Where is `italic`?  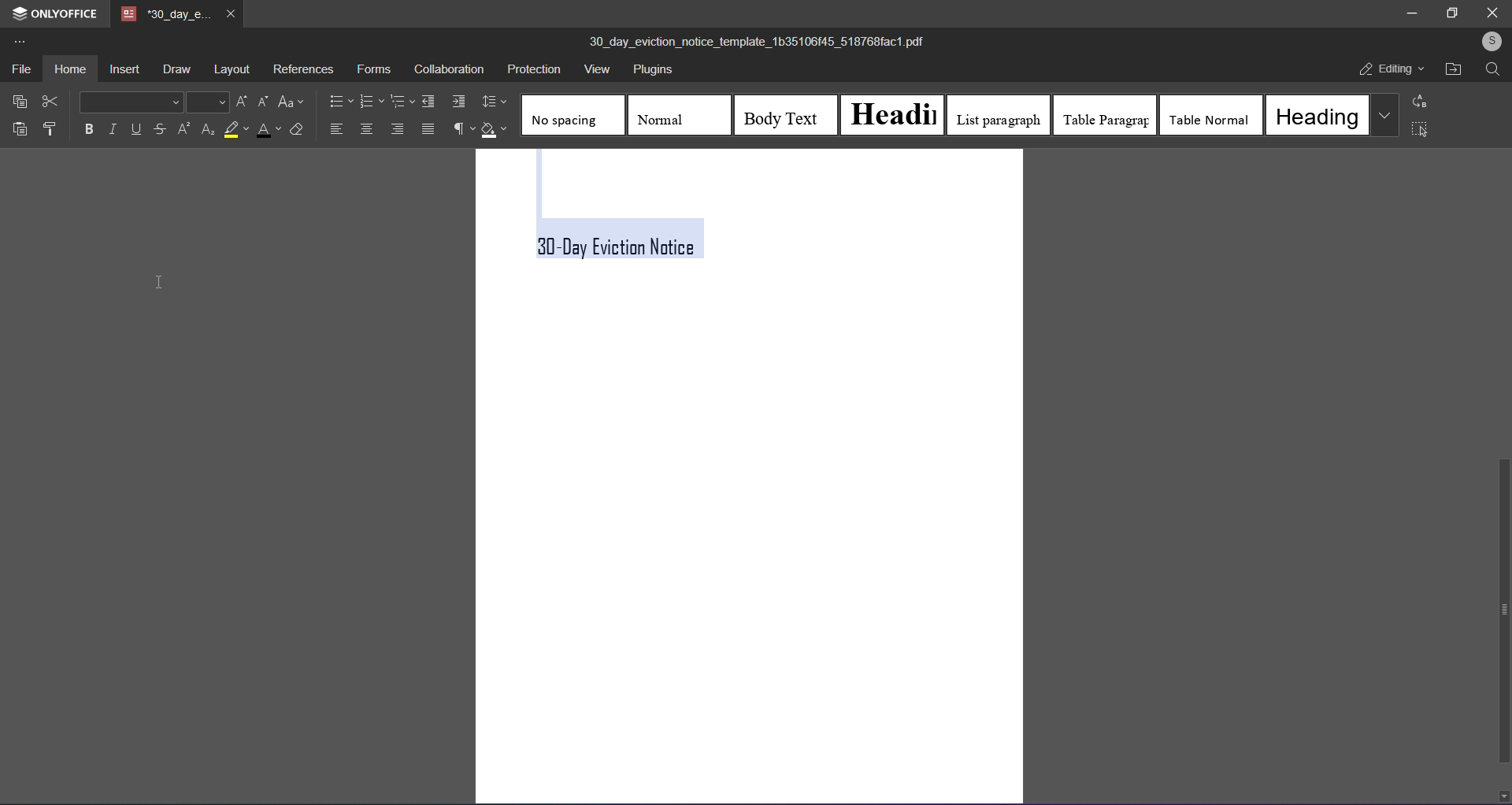 italic is located at coordinates (111, 128).